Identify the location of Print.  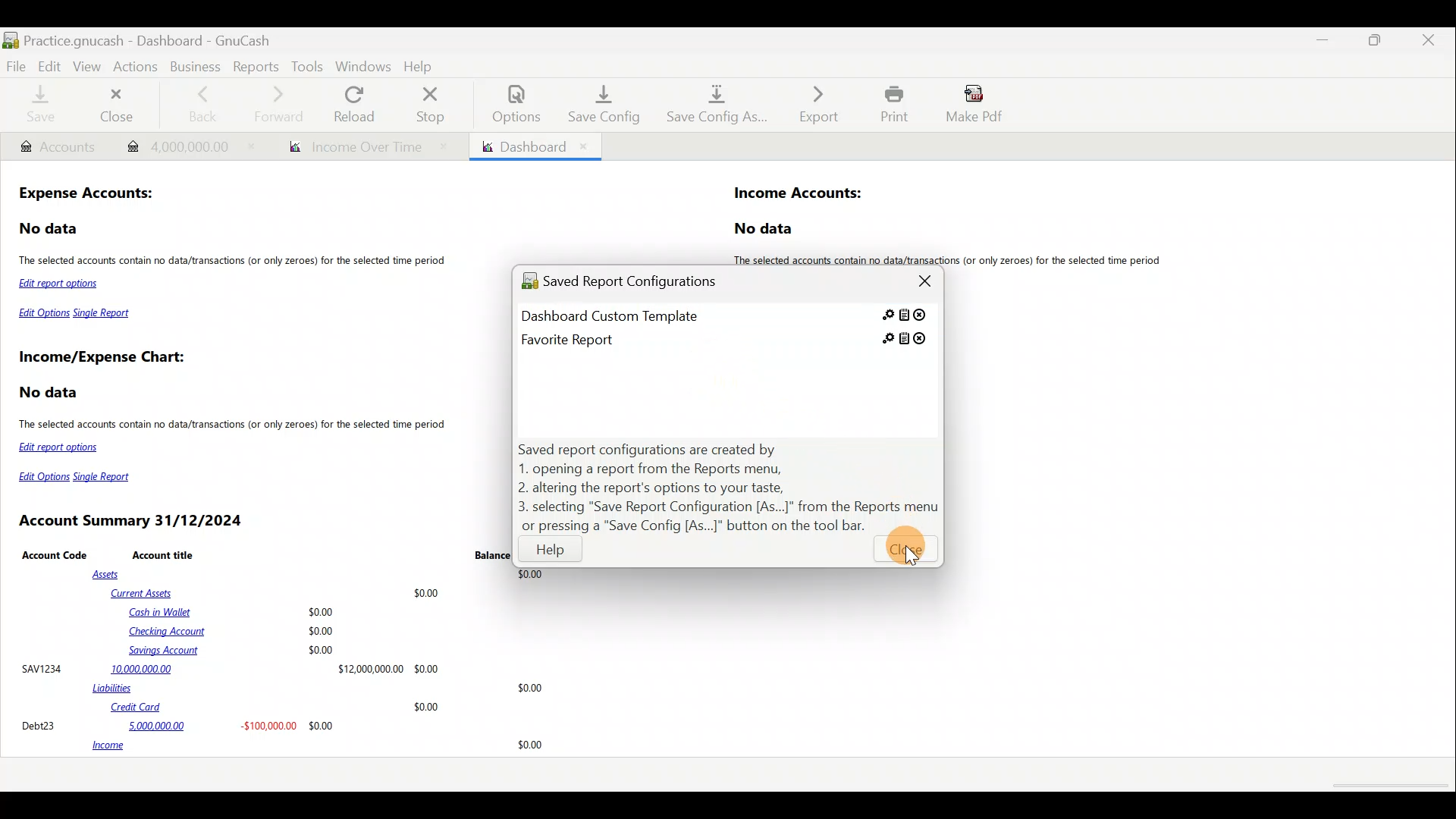
(890, 104).